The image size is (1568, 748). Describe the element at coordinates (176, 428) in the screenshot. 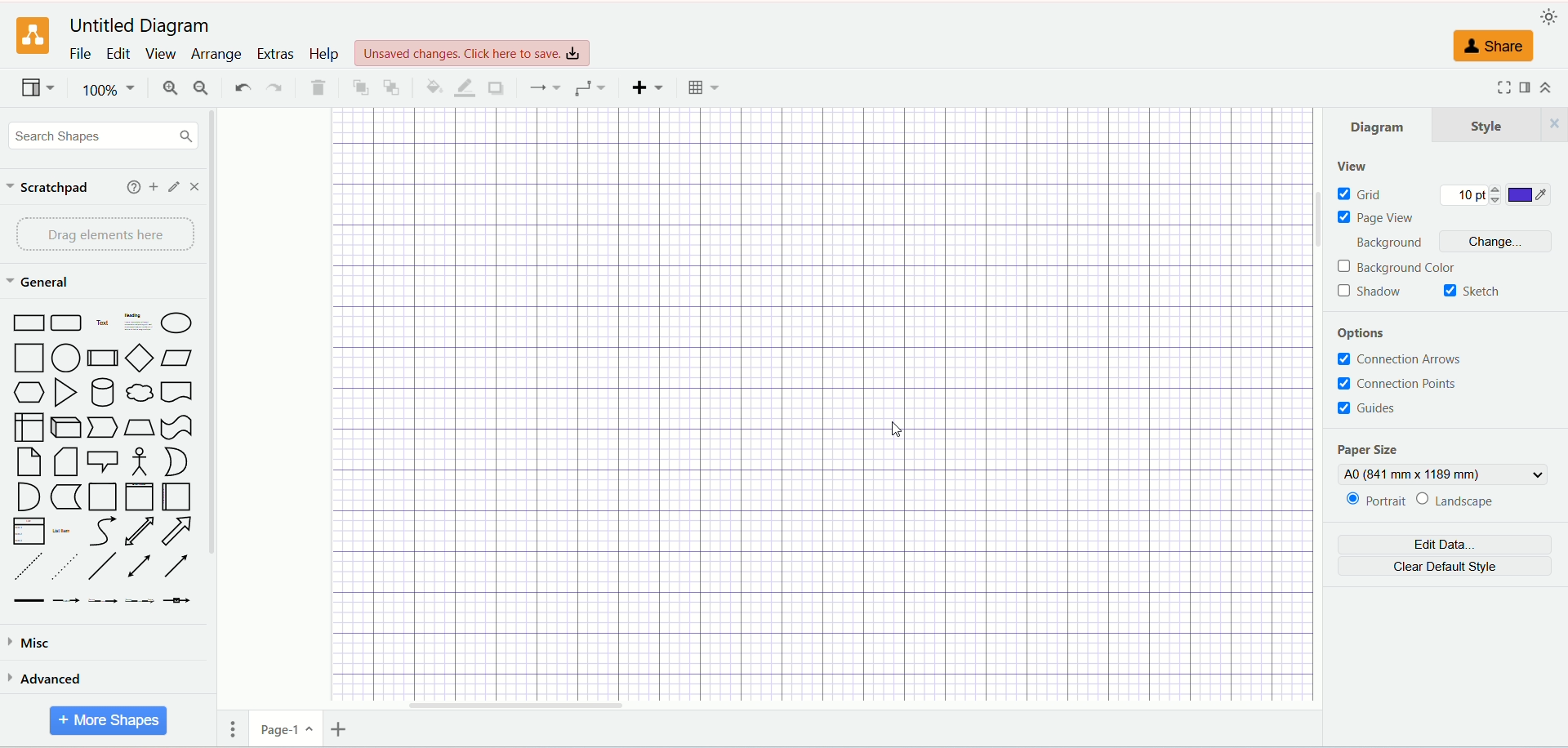

I see `Tape` at that location.